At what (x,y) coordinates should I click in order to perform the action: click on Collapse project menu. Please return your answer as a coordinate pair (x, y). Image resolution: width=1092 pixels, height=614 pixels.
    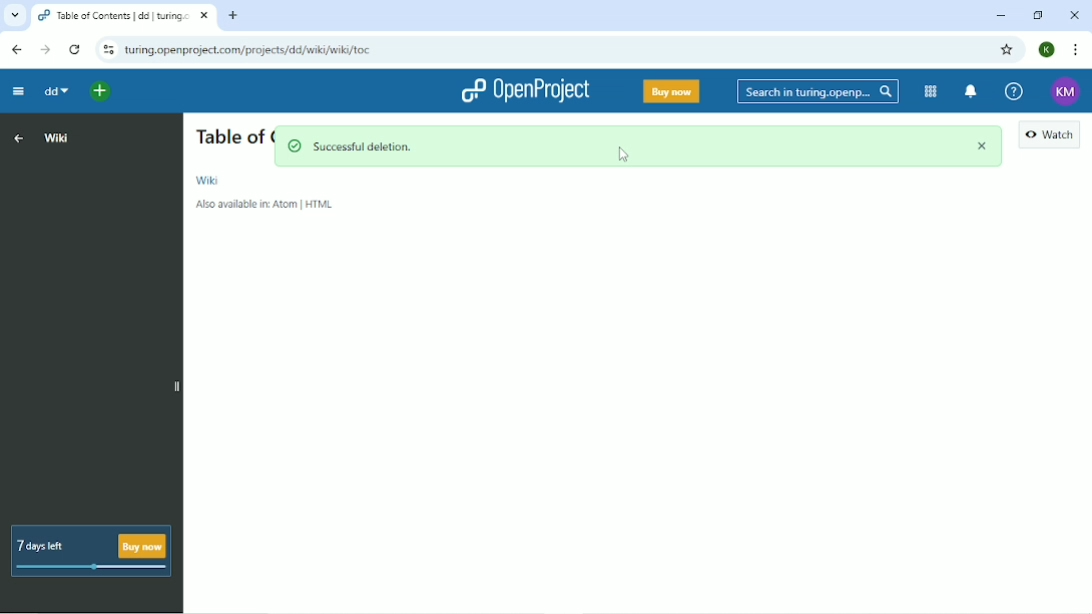
    Looking at the image, I should click on (17, 92).